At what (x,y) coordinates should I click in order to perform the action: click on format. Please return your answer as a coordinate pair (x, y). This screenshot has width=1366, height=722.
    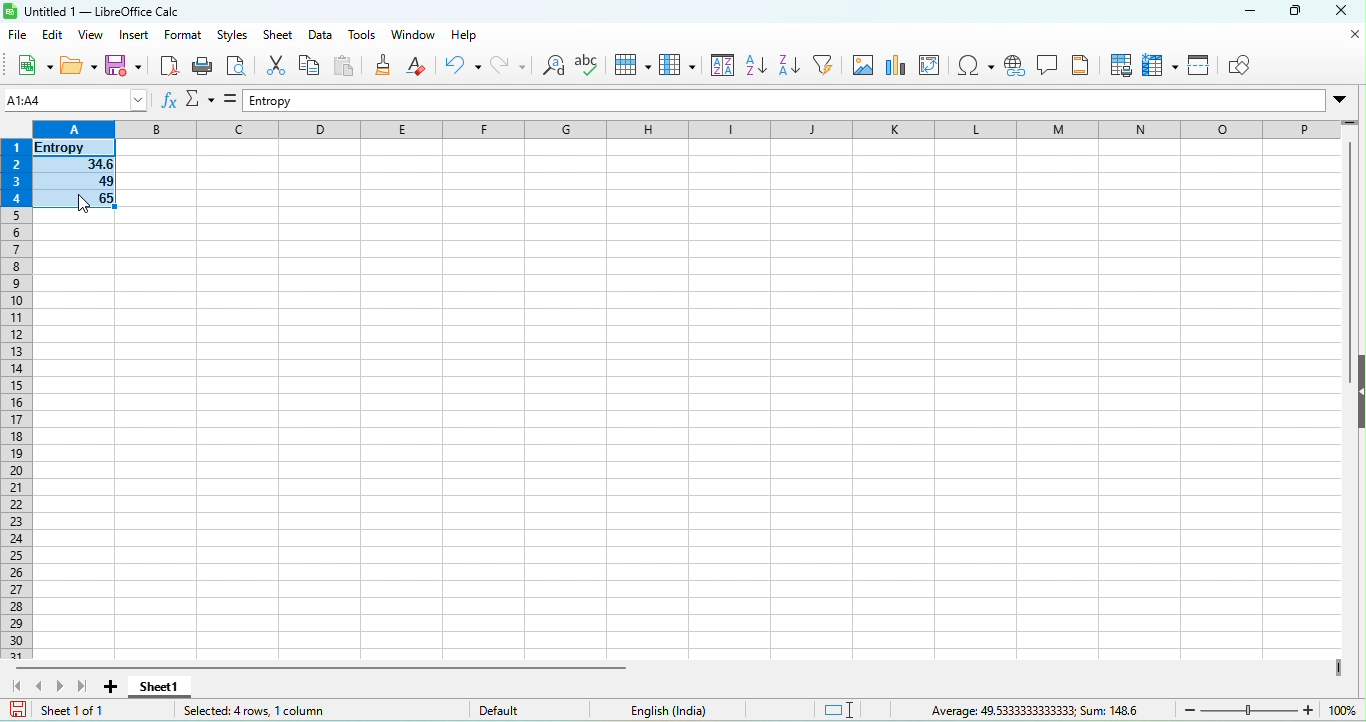
    Looking at the image, I should click on (181, 37).